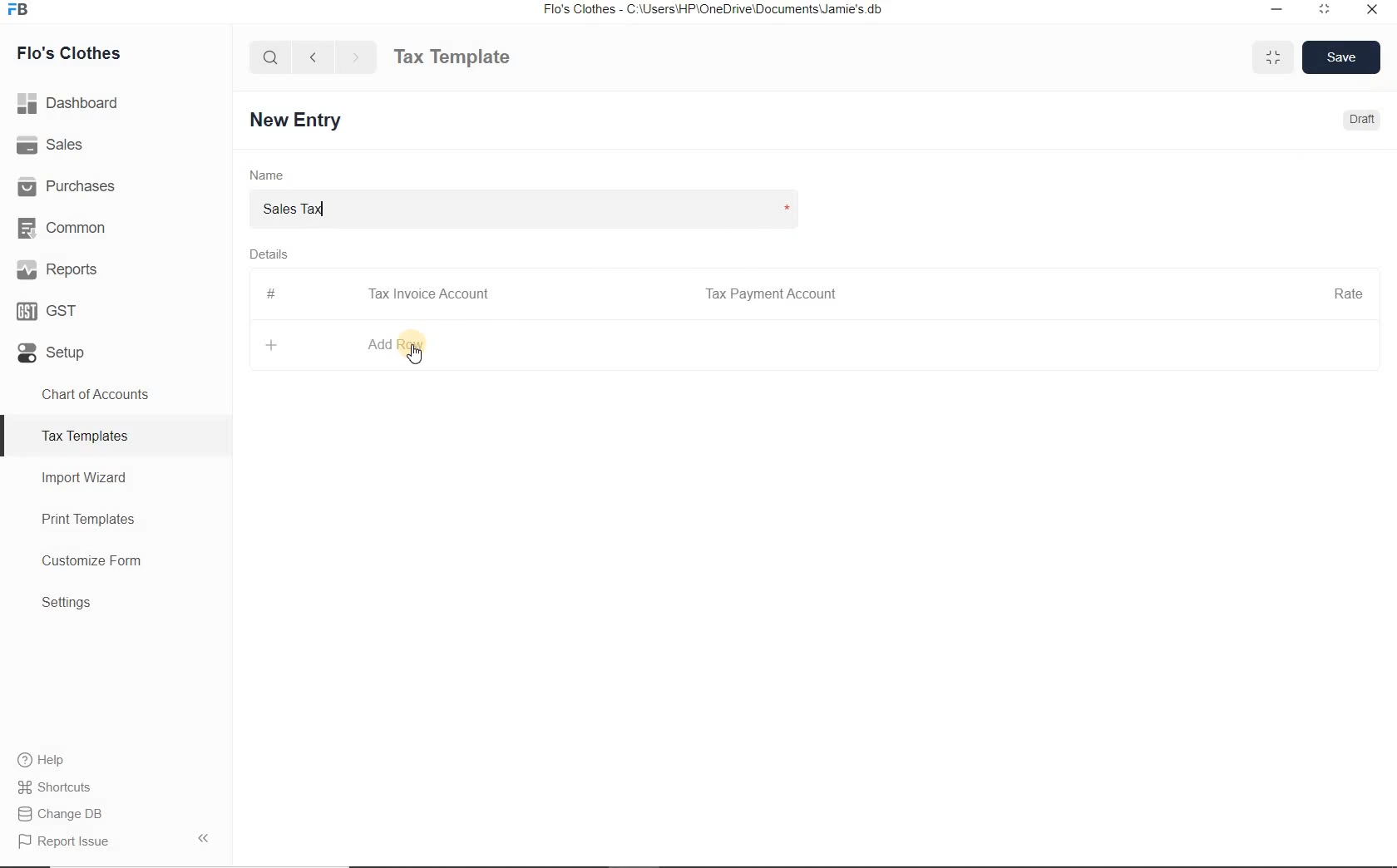  What do you see at coordinates (116, 787) in the screenshot?
I see `Shortcuts` at bounding box center [116, 787].